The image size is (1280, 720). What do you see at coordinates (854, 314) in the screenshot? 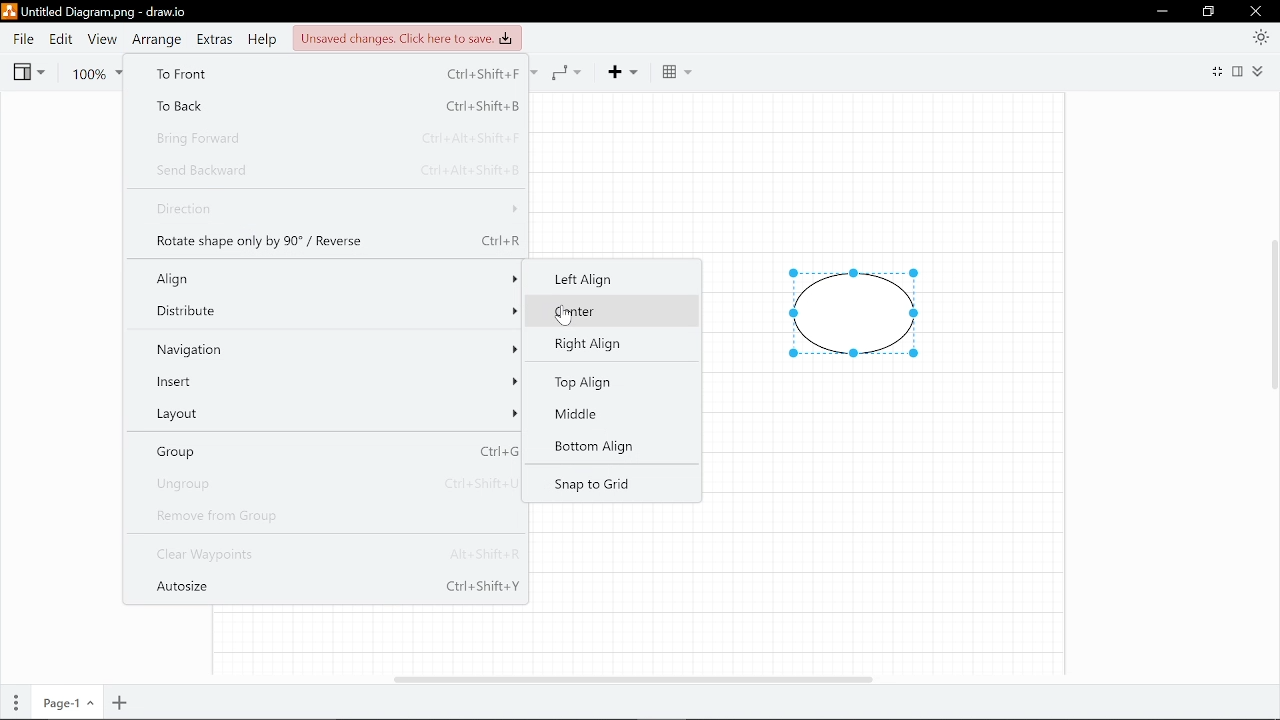
I see `Diagram` at bounding box center [854, 314].